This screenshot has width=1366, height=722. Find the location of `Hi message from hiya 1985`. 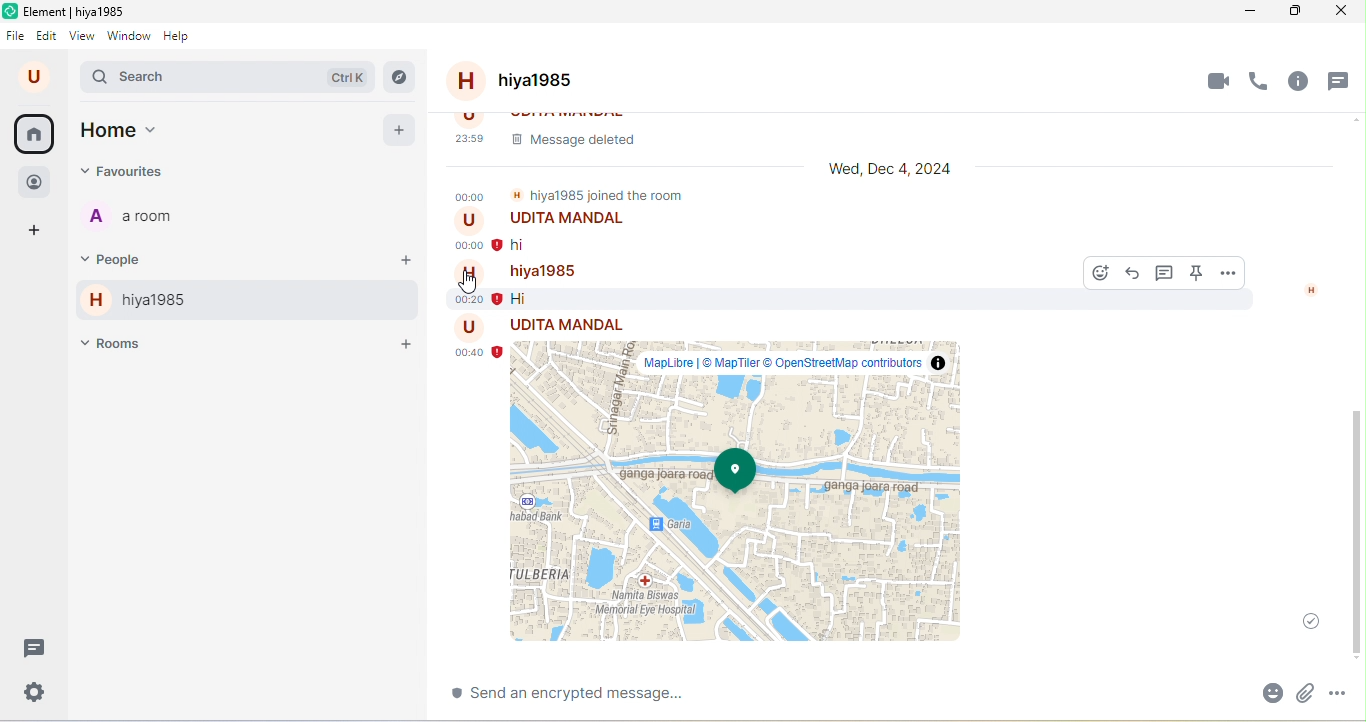

Hi message from hiya 1985 is located at coordinates (743, 285).